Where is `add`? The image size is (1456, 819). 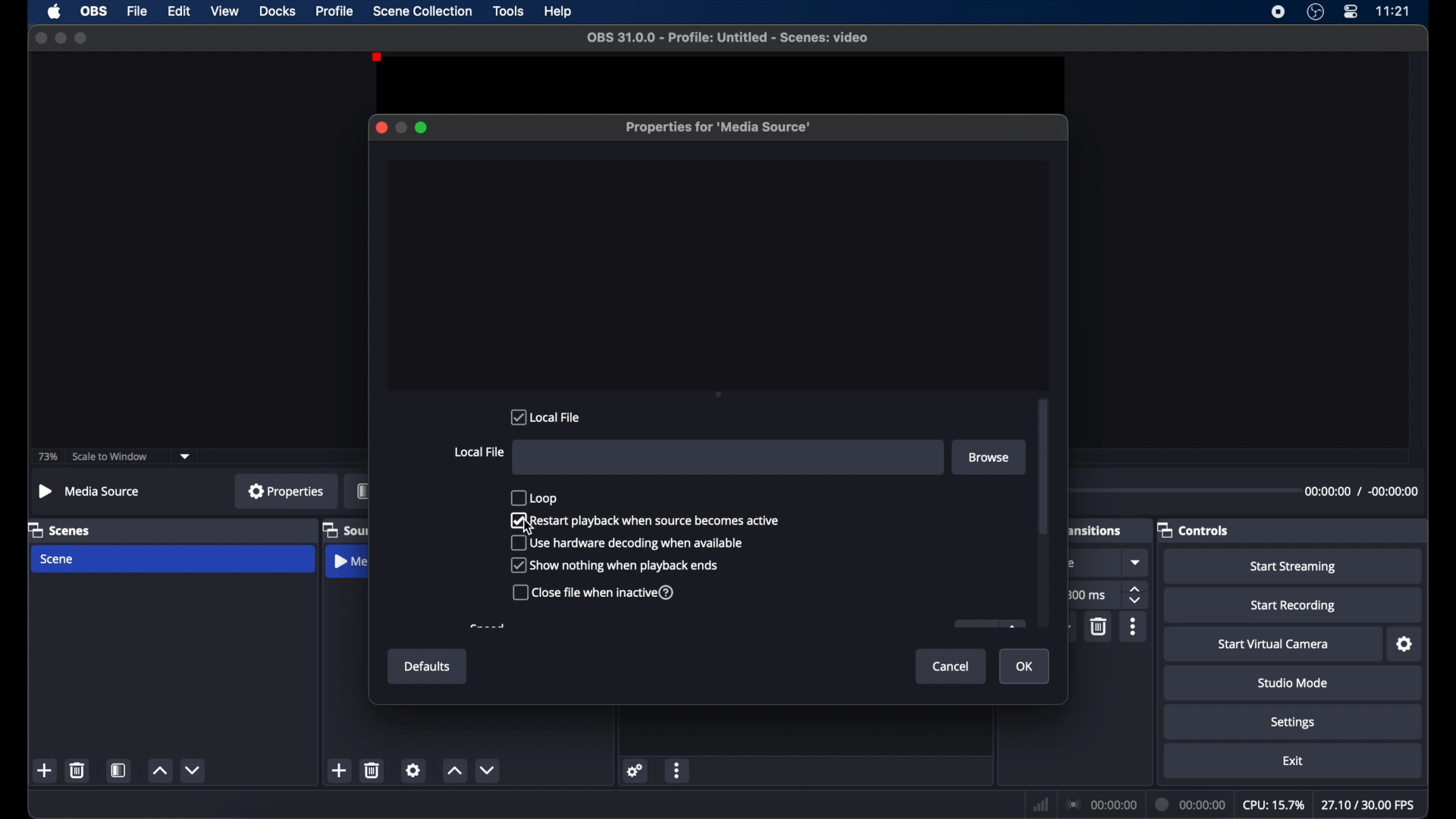
add is located at coordinates (45, 770).